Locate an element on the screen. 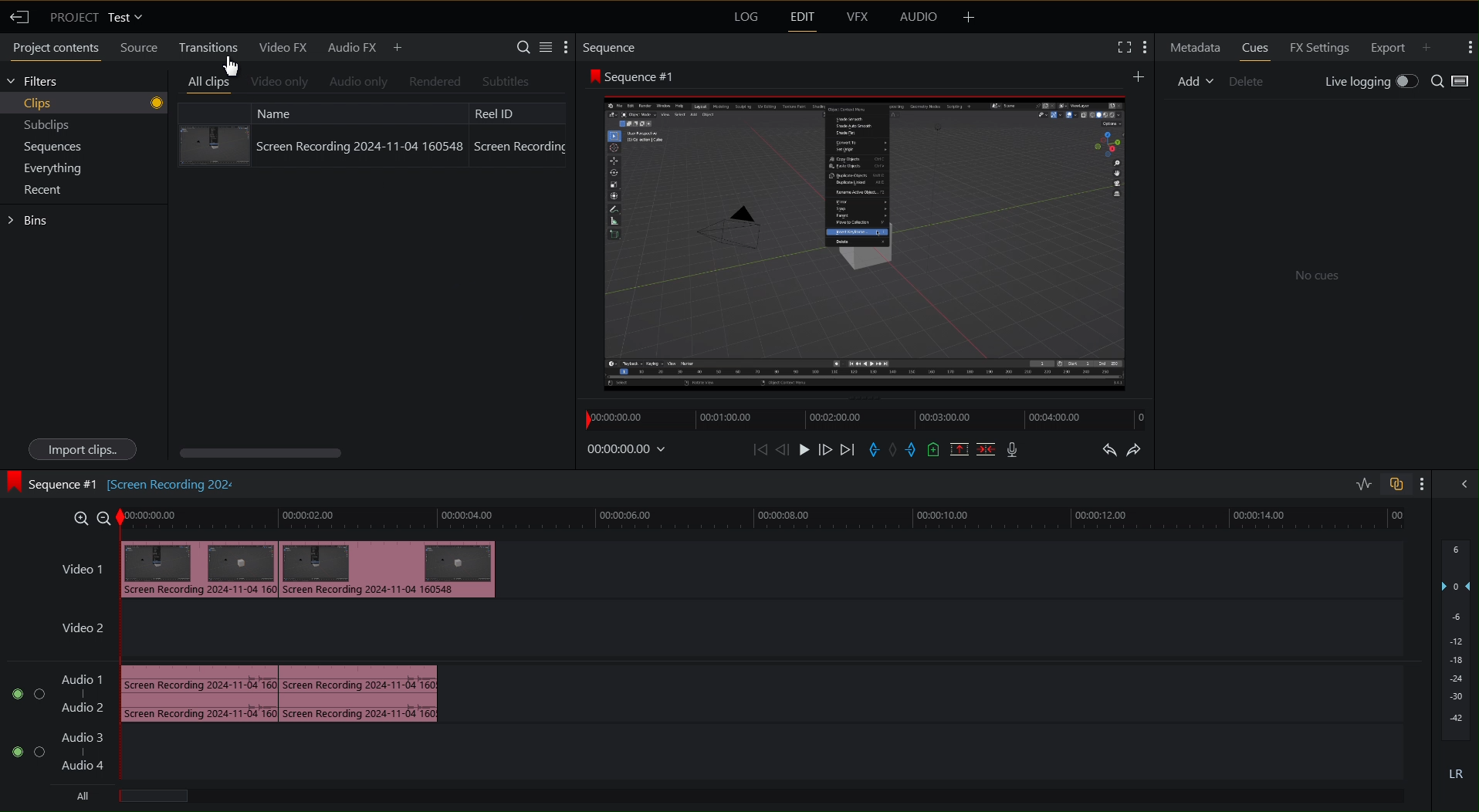 The image size is (1479, 812). Skip Forward is located at coordinates (846, 450).